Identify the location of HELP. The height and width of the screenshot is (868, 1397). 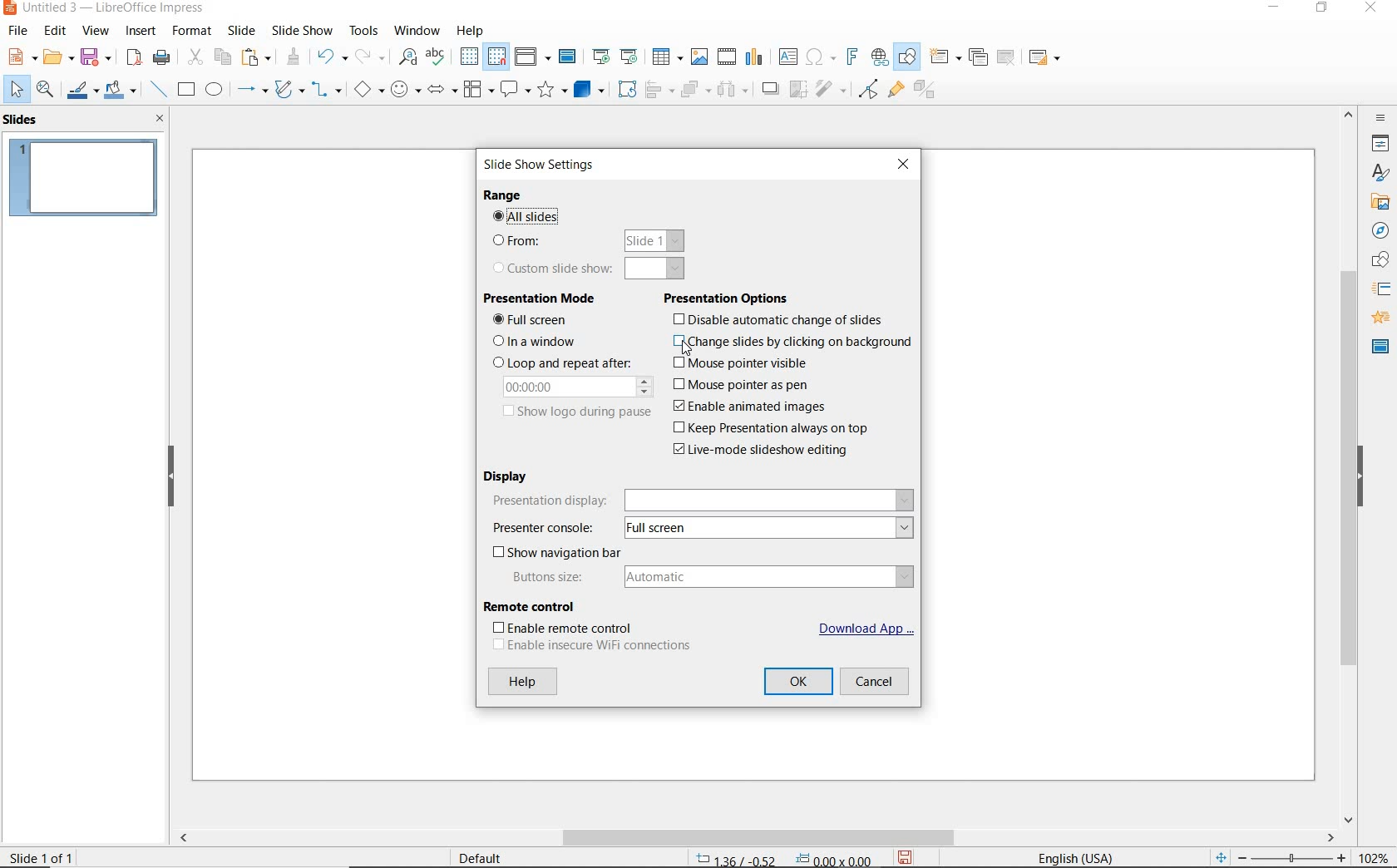
(522, 682).